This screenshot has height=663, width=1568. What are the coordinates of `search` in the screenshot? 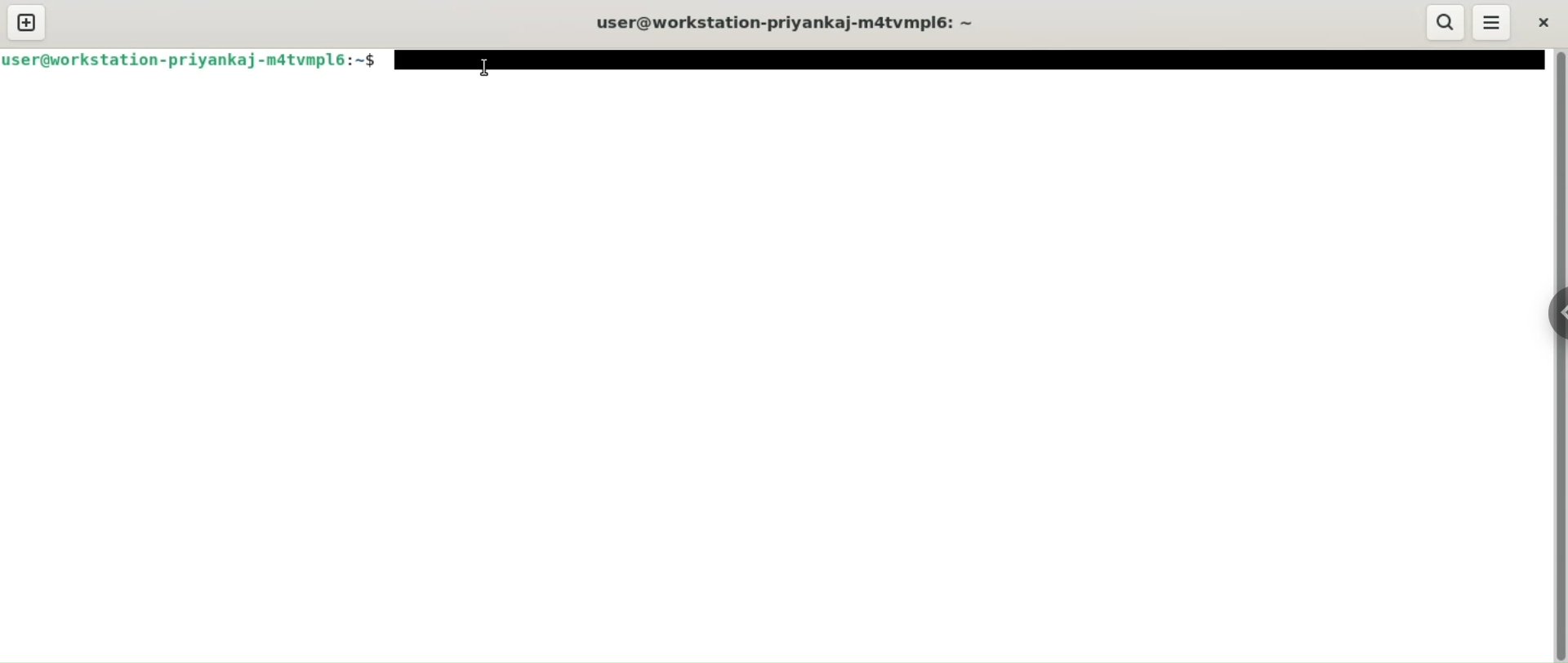 It's located at (1446, 23).